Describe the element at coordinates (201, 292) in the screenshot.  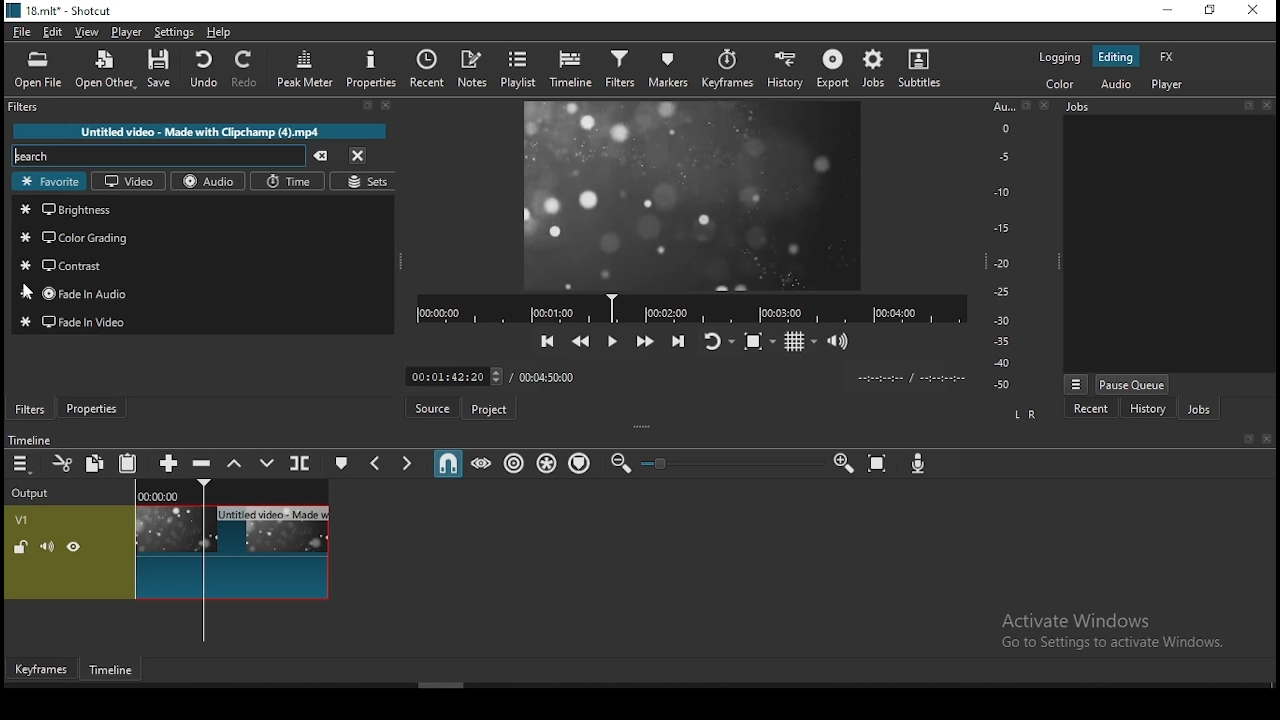
I see `` at that location.